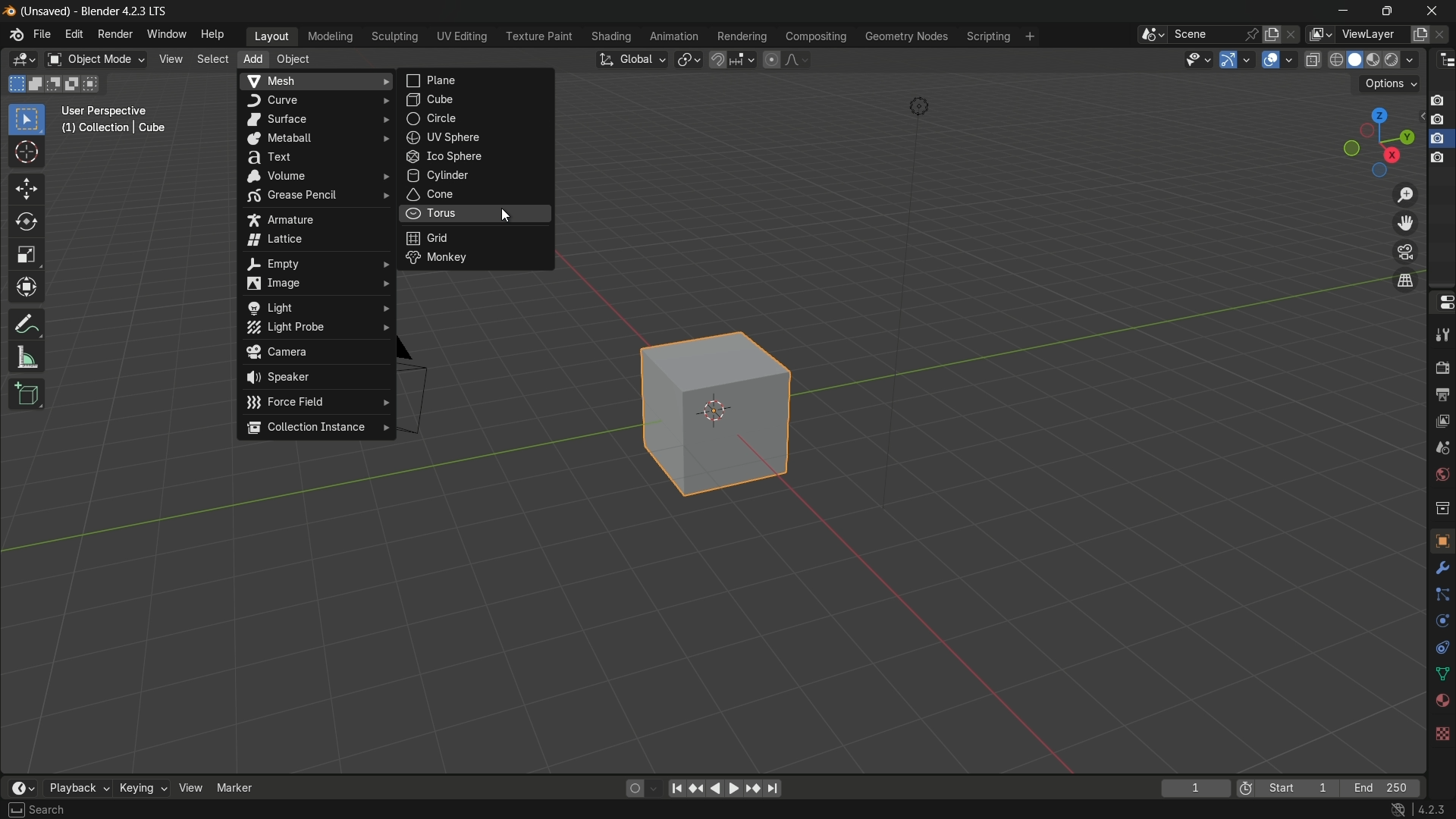 This screenshot has width=1456, height=819. I want to click on window menu, so click(165, 33).